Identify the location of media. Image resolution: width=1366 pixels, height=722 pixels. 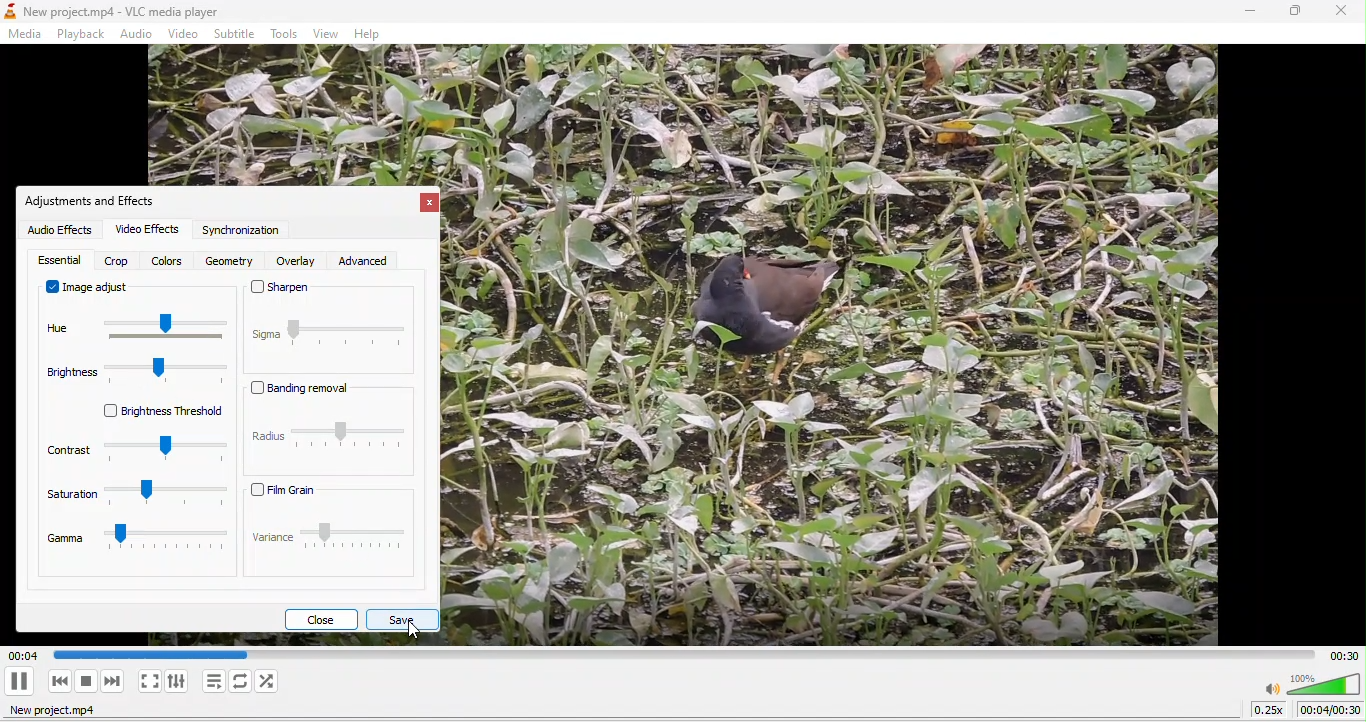
(28, 34).